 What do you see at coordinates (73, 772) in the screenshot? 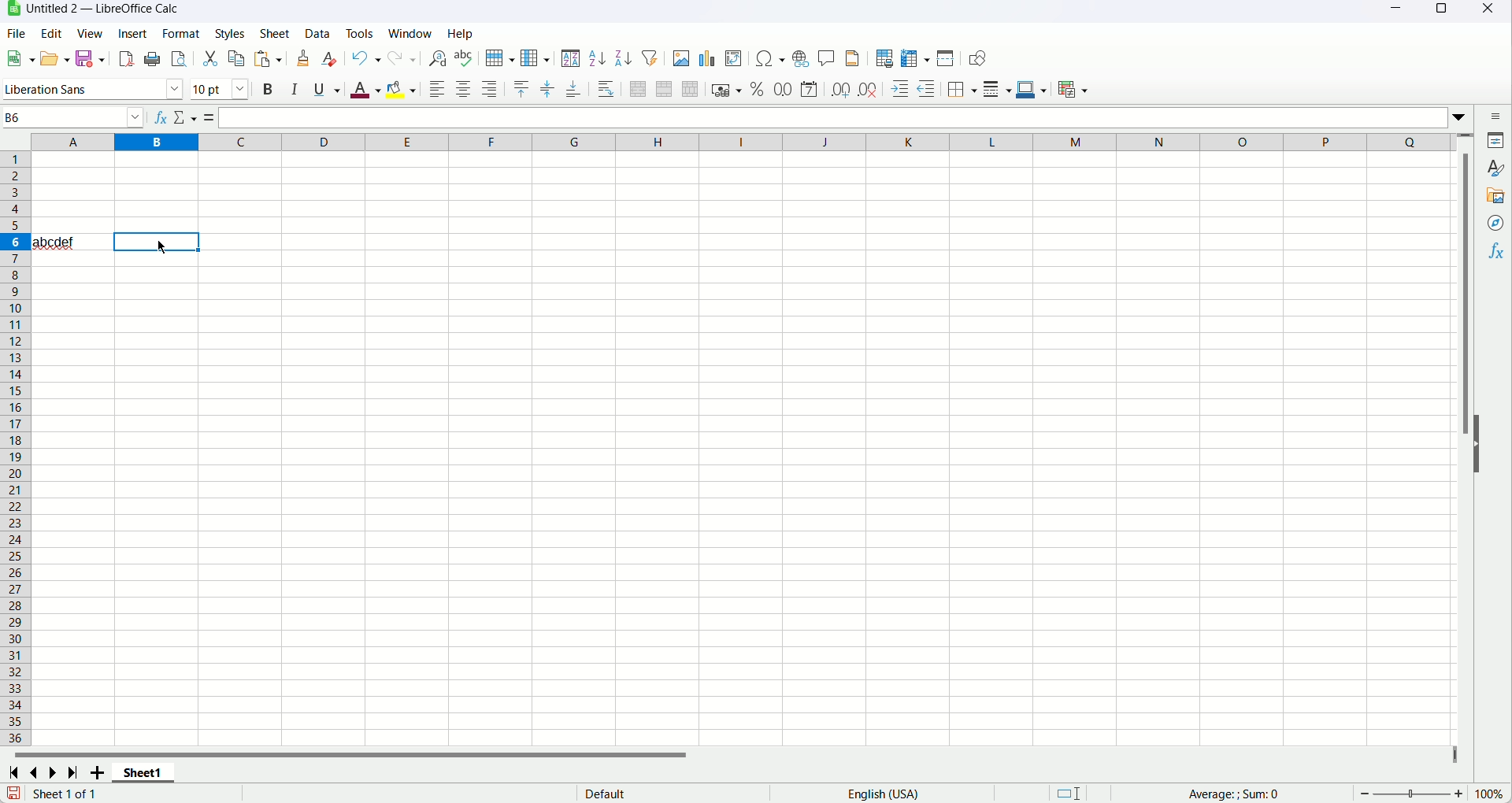
I see `scroll to last sheet` at bounding box center [73, 772].